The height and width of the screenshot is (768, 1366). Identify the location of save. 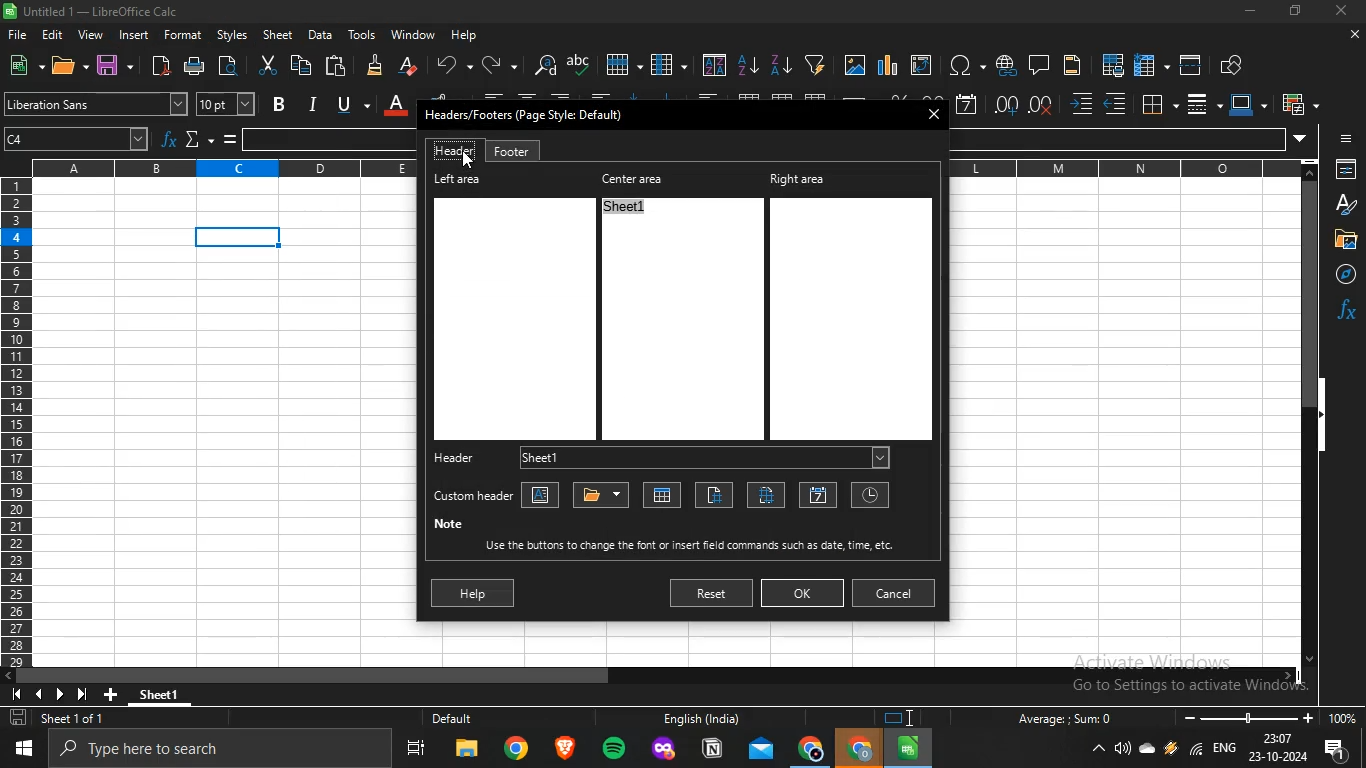
(110, 64).